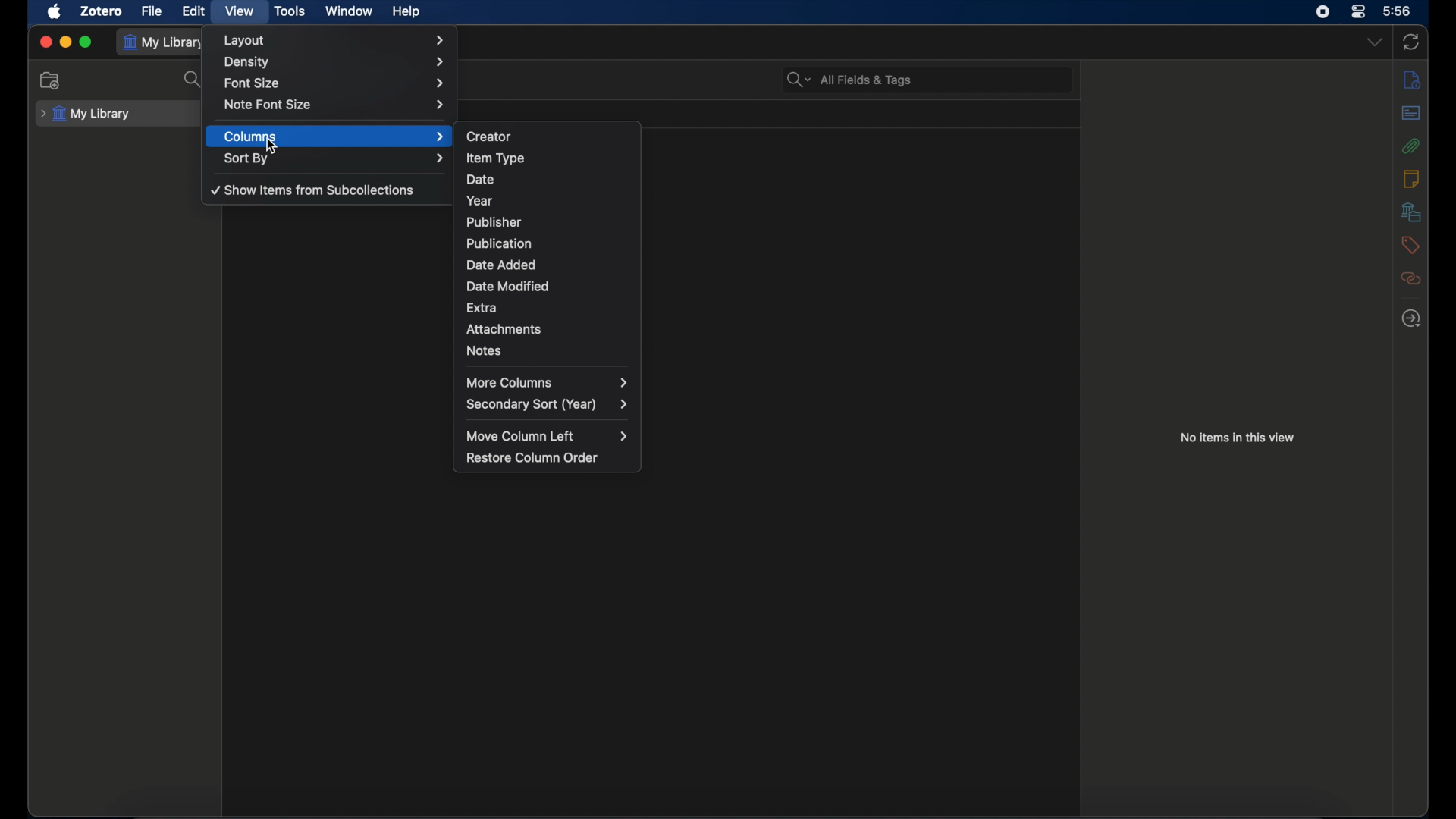  What do you see at coordinates (550, 156) in the screenshot?
I see `item type` at bounding box center [550, 156].